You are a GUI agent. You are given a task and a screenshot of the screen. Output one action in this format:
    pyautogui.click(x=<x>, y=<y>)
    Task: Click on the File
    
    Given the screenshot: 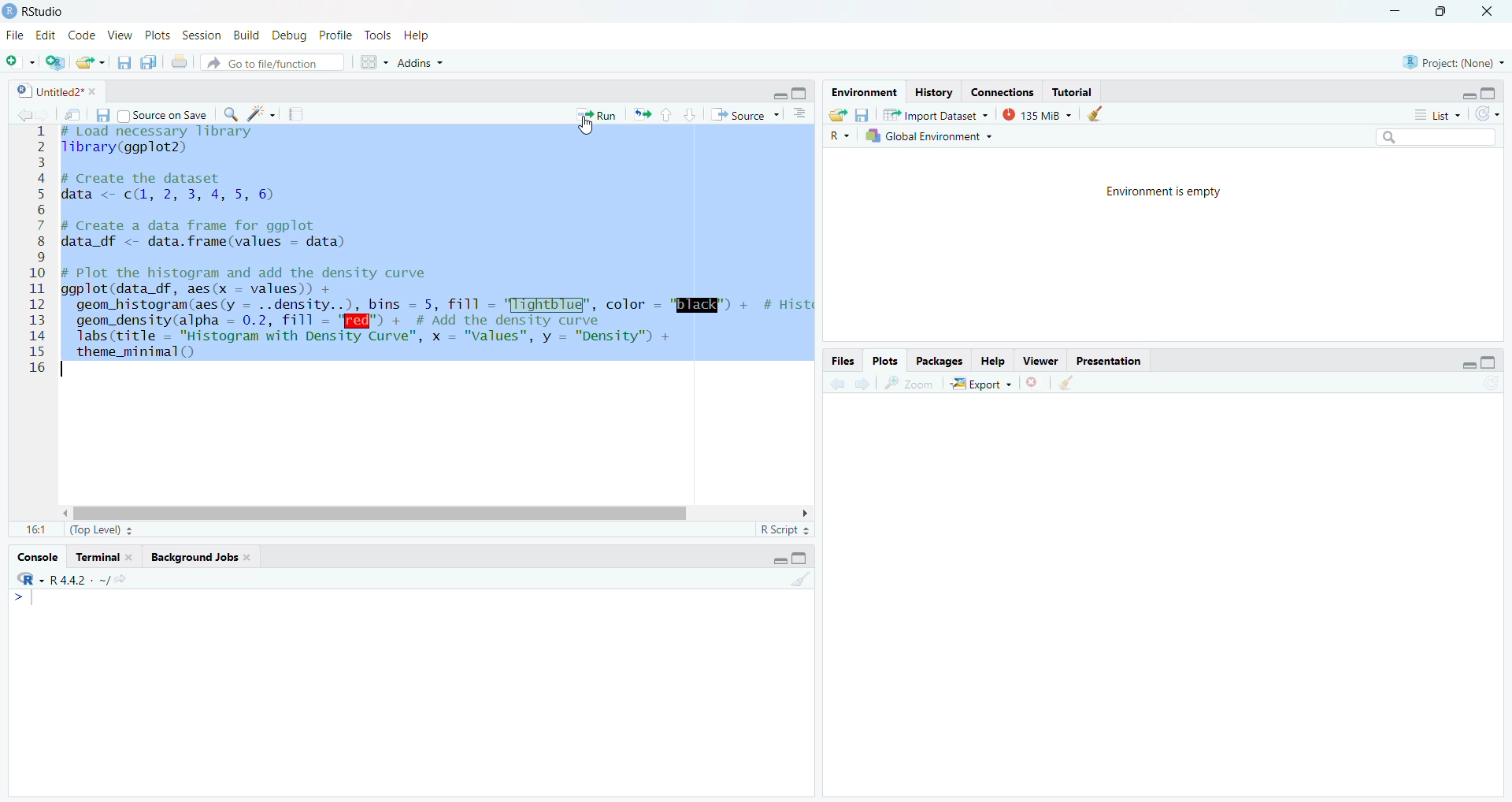 What is the action you would take?
    pyautogui.click(x=14, y=33)
    